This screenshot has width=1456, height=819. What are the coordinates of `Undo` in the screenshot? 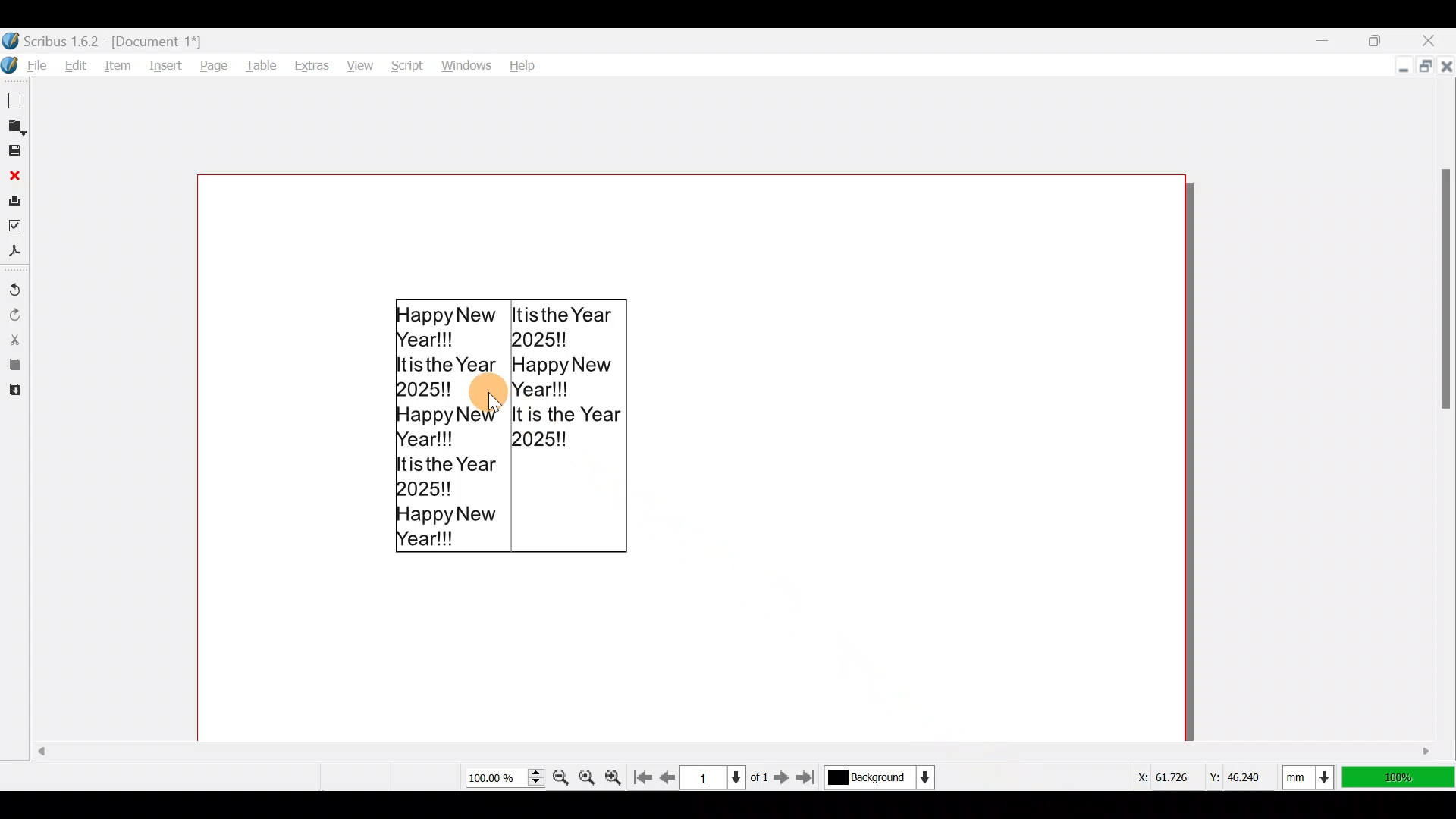 It's located at (15, 283).